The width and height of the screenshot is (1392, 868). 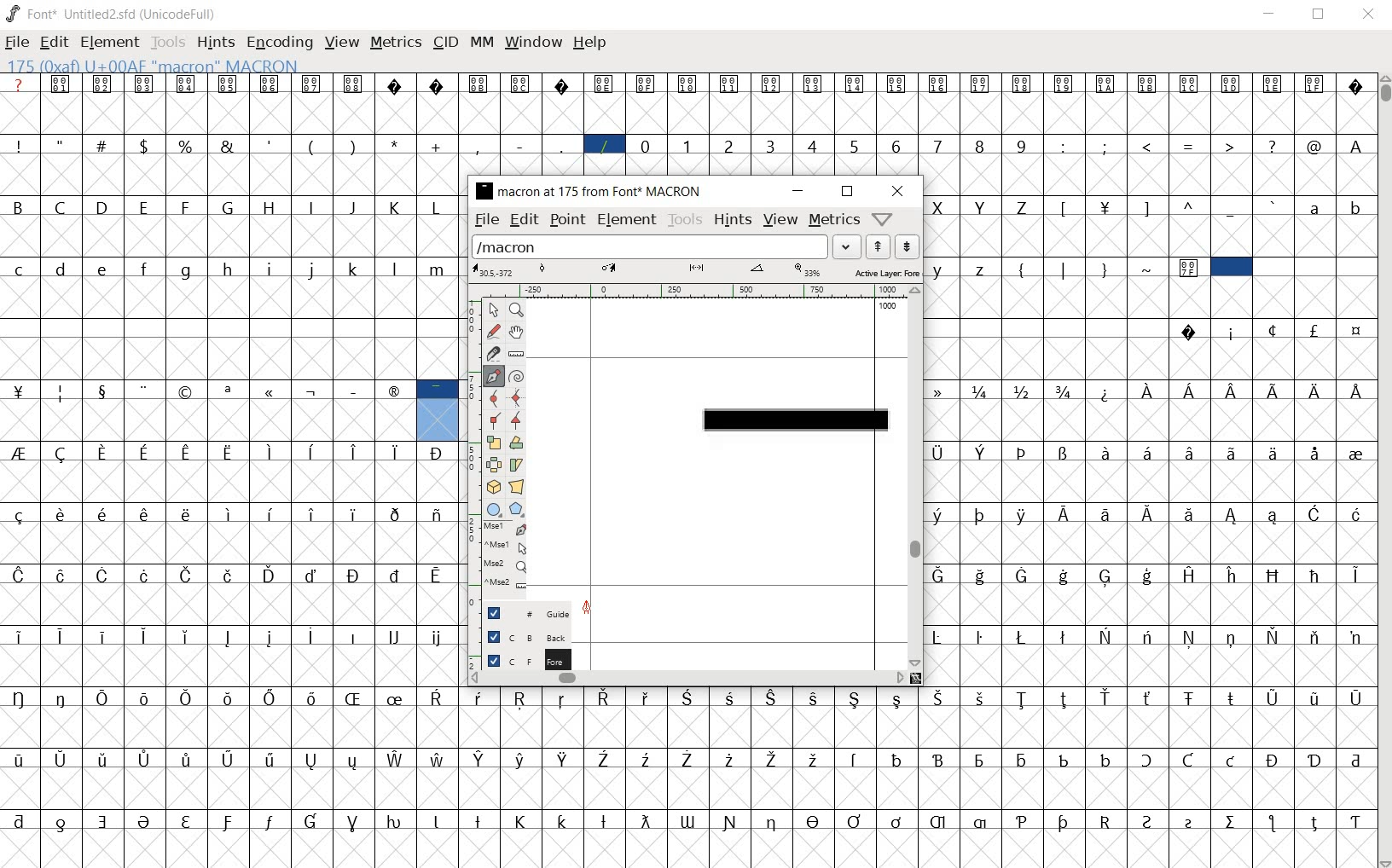 I want to click on Symbol, so click(x=1314, y=454).